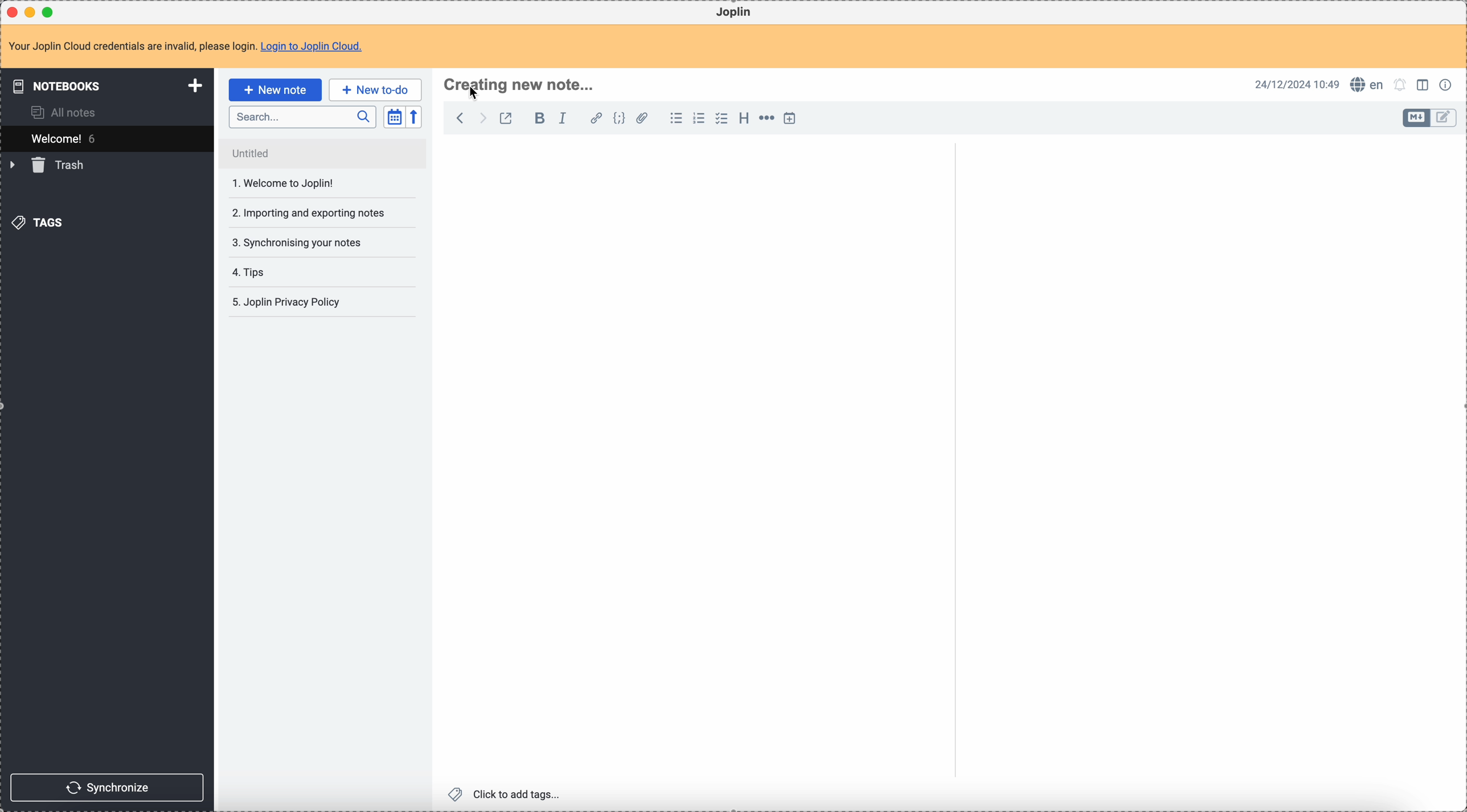  Describe the element at coordinates (768, 119) in the screenshot. I see `horizontal rule` at that location.